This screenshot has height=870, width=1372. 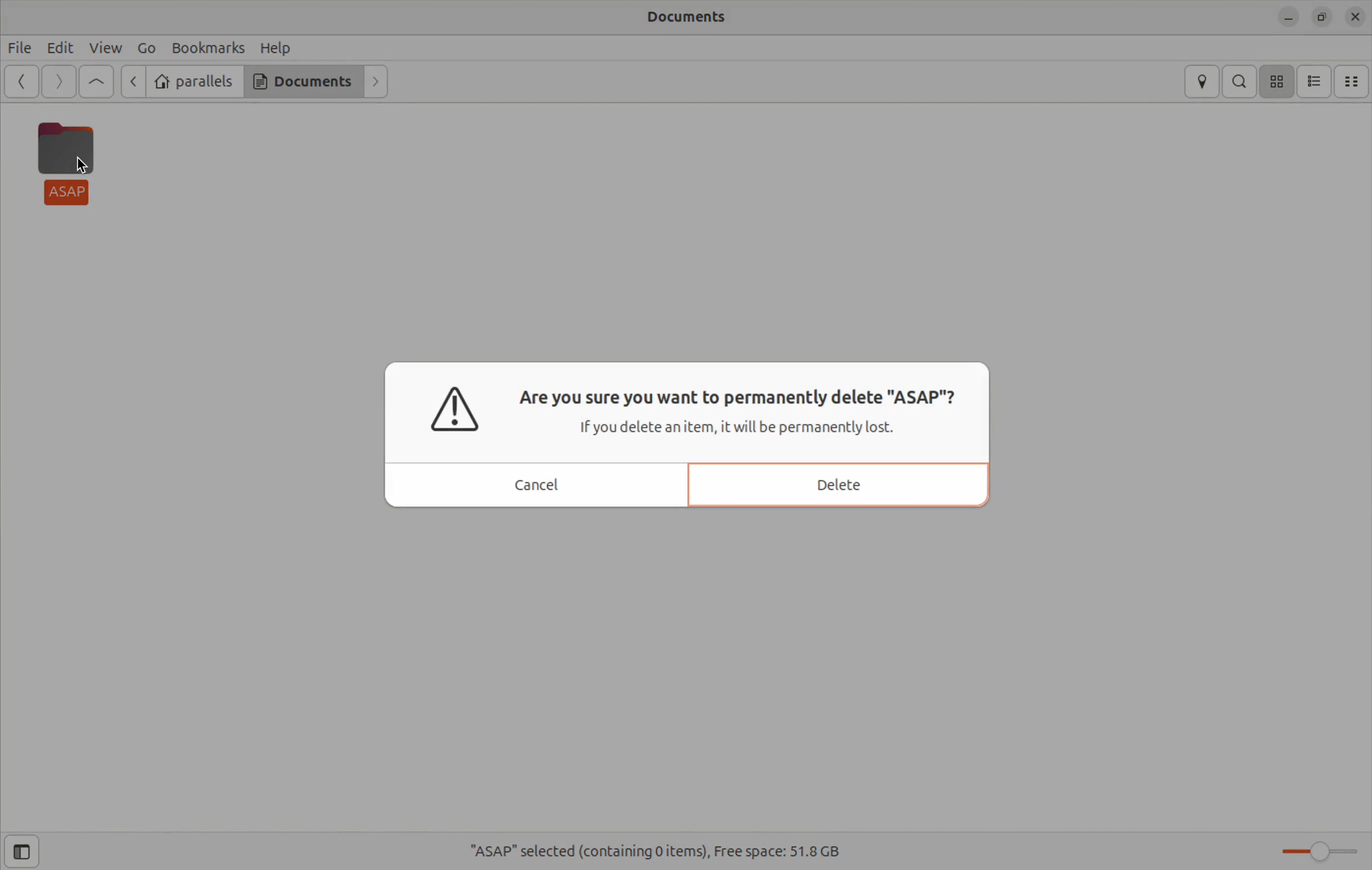 I want to click on list view, so click(x=1317, y=81).